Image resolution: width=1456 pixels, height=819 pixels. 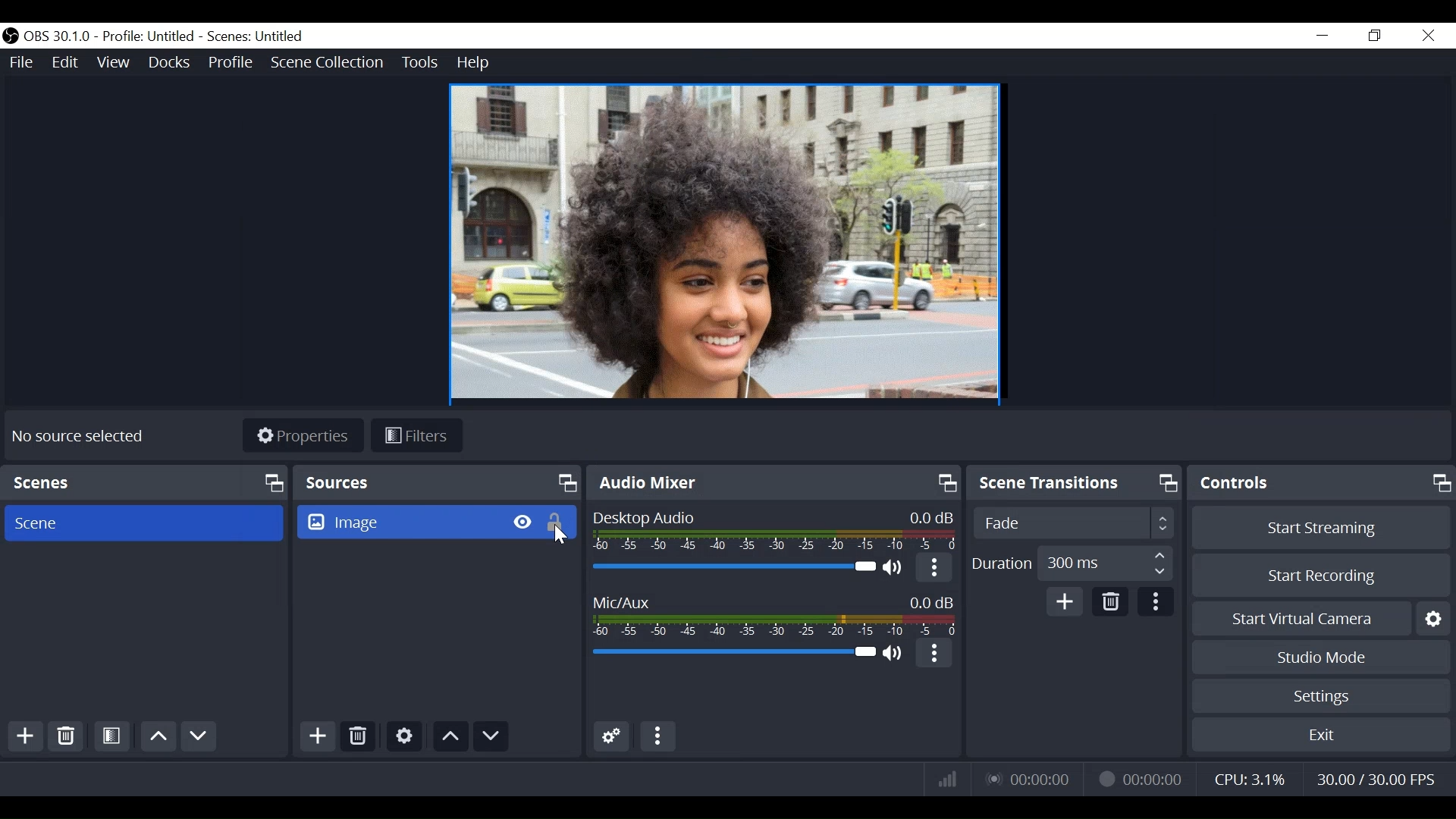 What do you see at coordinates (158, 736) in the screenshot?
I see `Move Up` at bounding box center [158, 736].